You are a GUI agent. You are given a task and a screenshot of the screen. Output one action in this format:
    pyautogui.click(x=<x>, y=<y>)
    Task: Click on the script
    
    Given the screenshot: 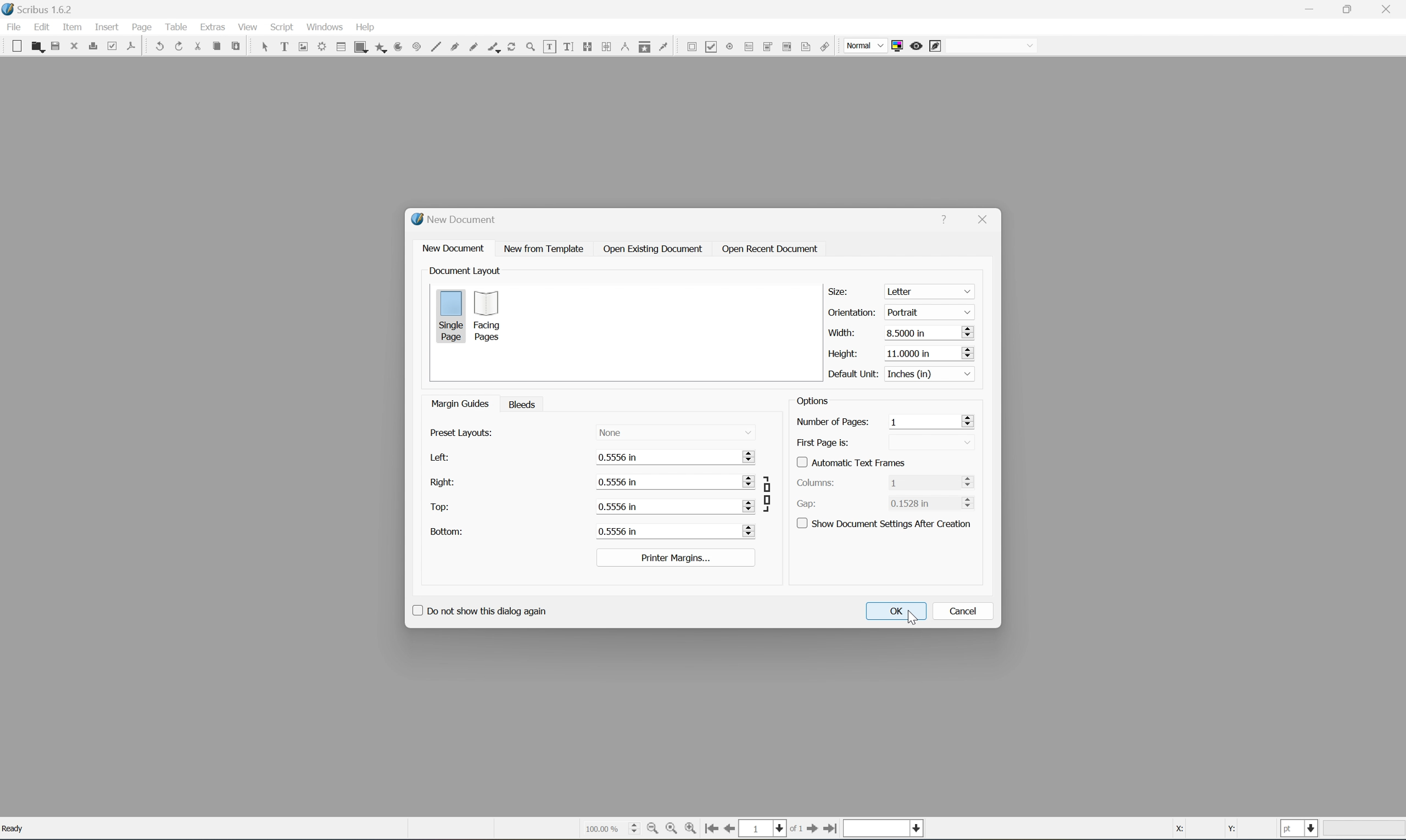 What is the action you would take?
    pyautogui.click(x=281, y=27)
    